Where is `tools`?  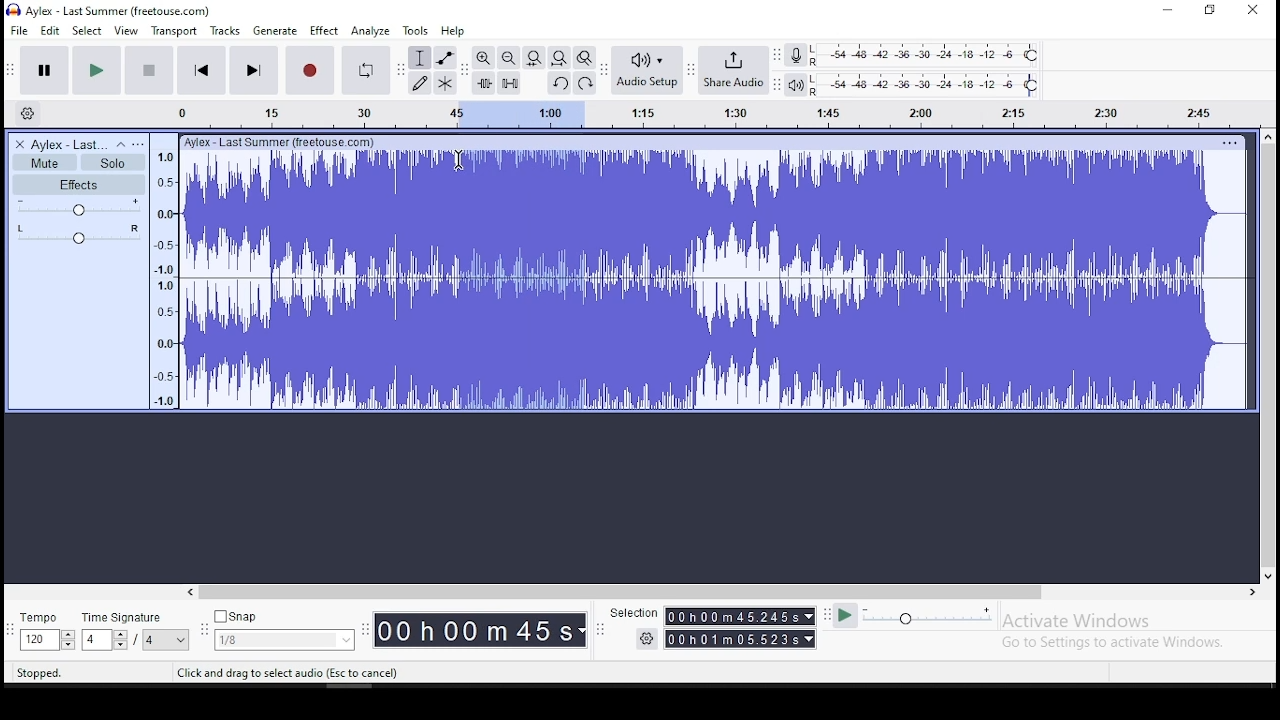
tools is located at coordinates (416, 30).